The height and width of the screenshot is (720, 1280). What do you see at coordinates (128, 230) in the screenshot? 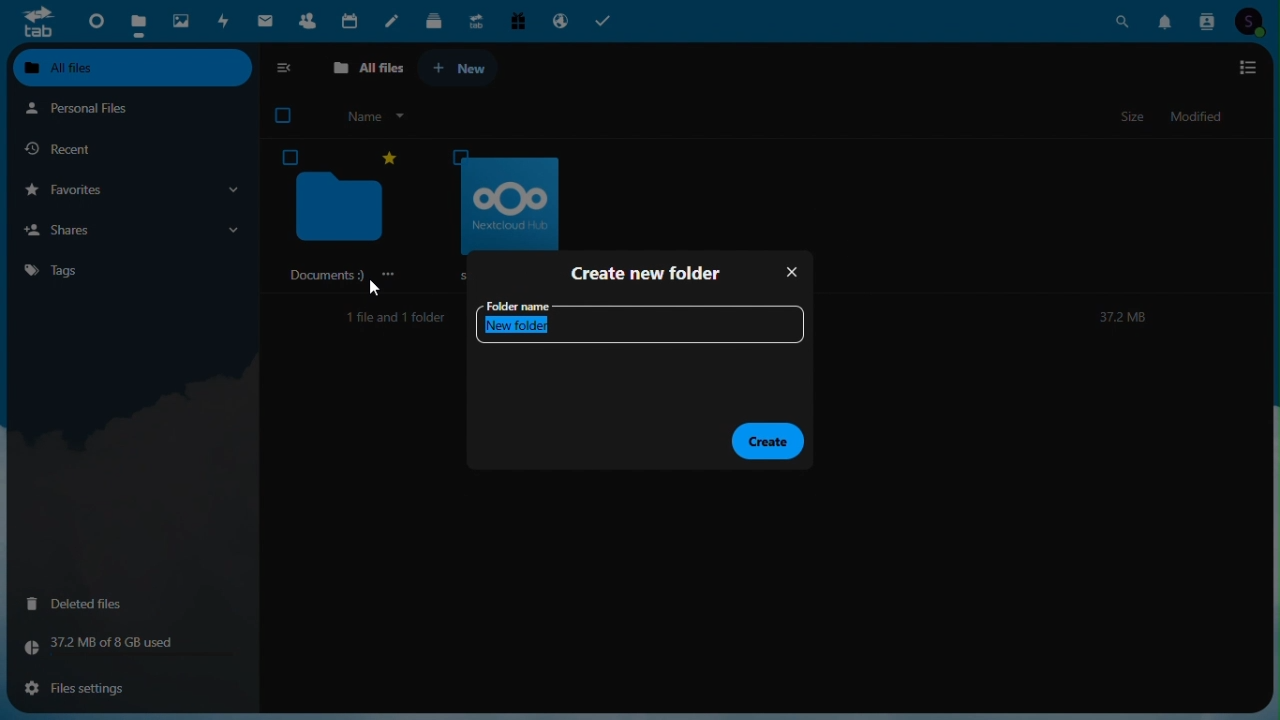
I see `Shares` at bounding box center [128, 230].